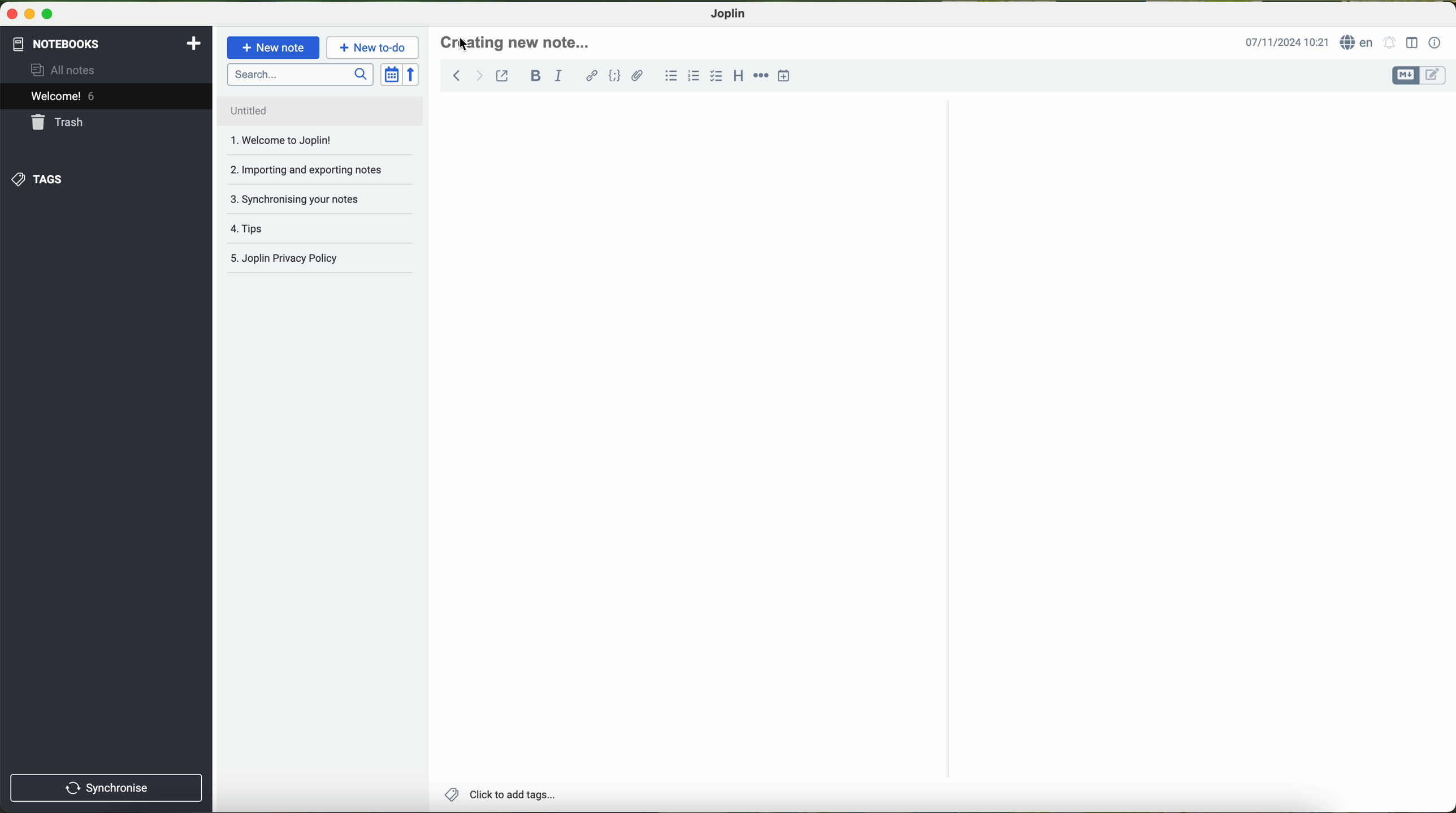  I want to click on attach file, so click(638, 75).